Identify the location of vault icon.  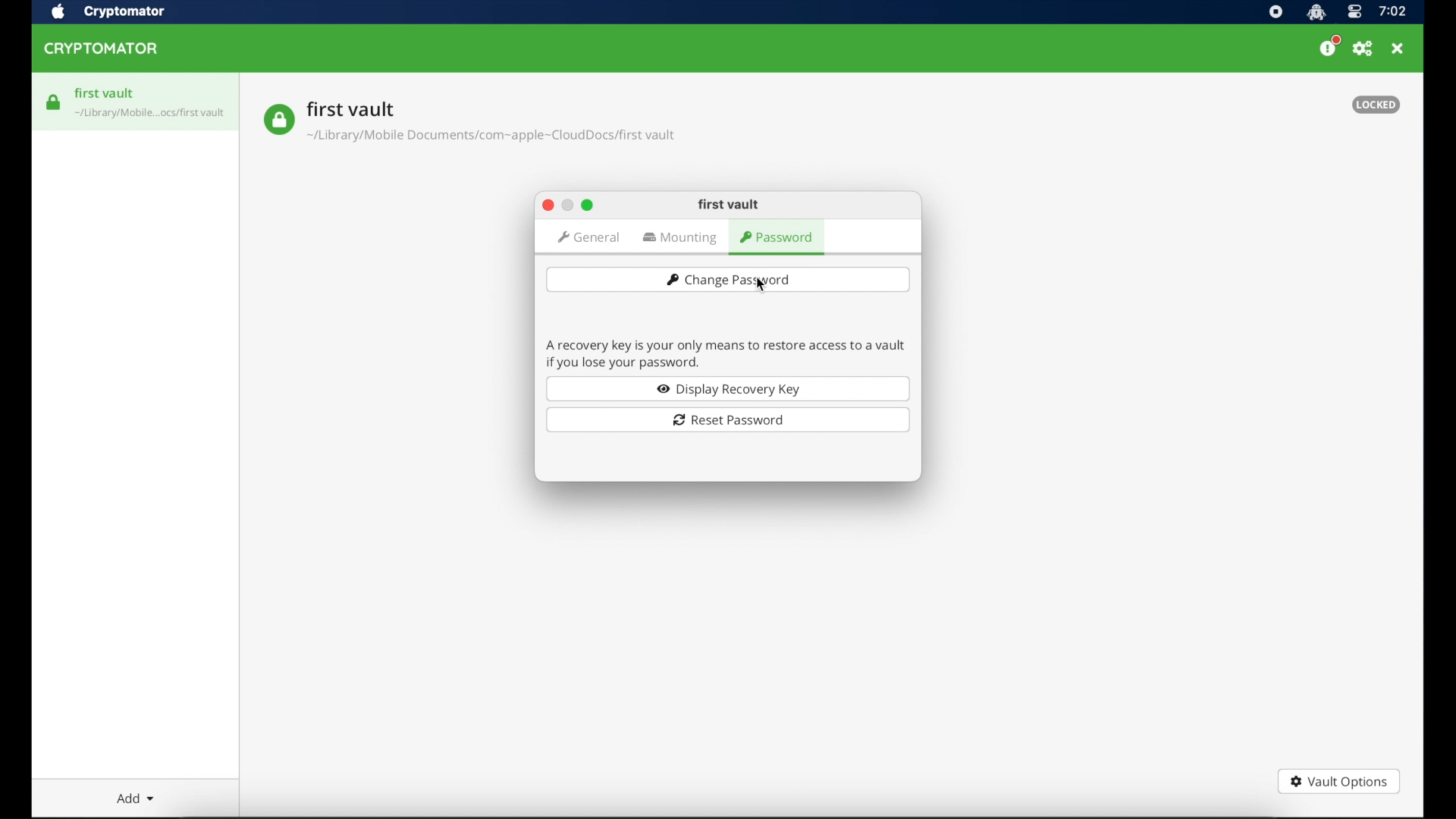
(278, 120).